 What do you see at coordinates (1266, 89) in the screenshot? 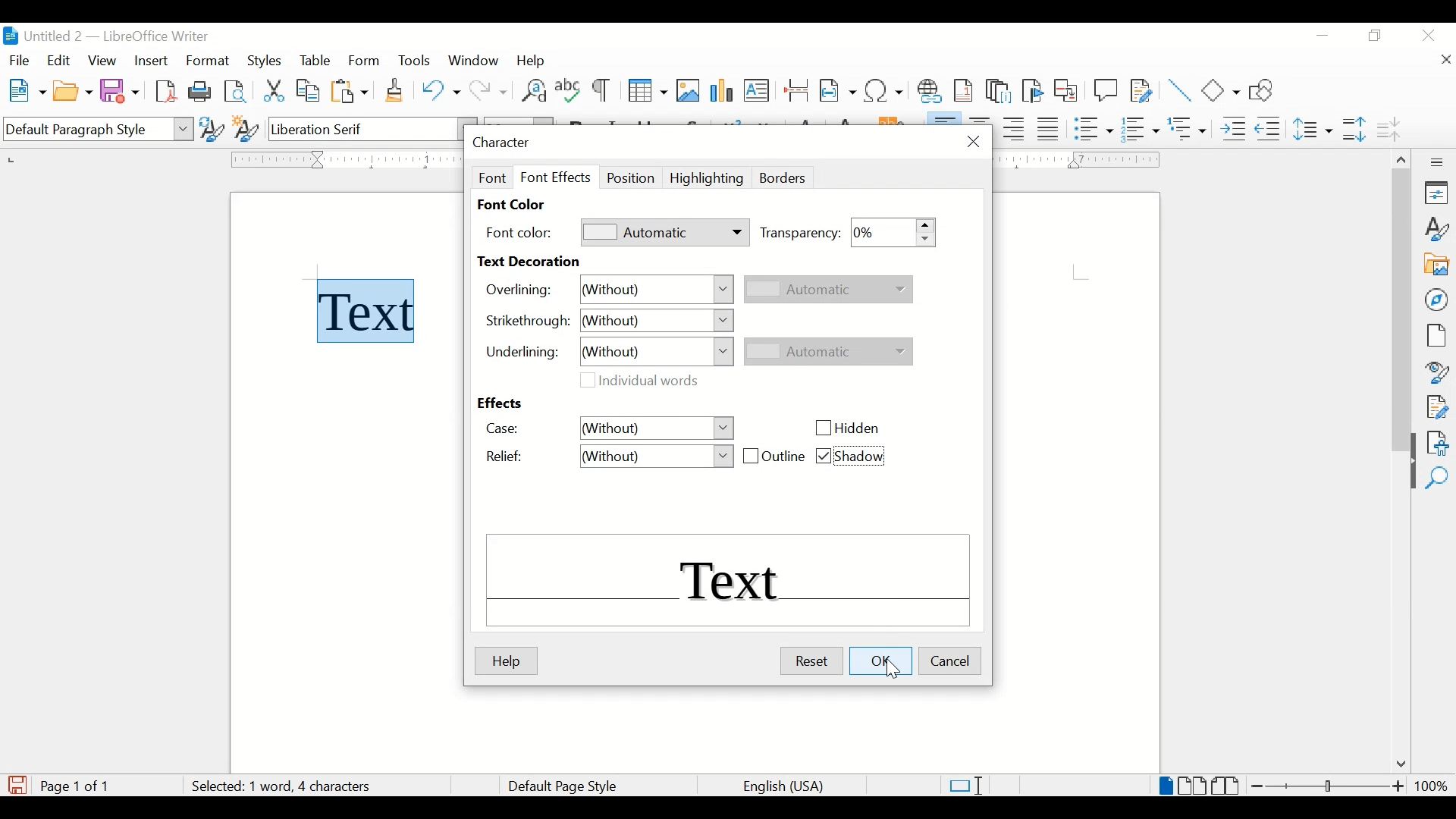
I see `show draw functions` at bounding box center [1266, 89].